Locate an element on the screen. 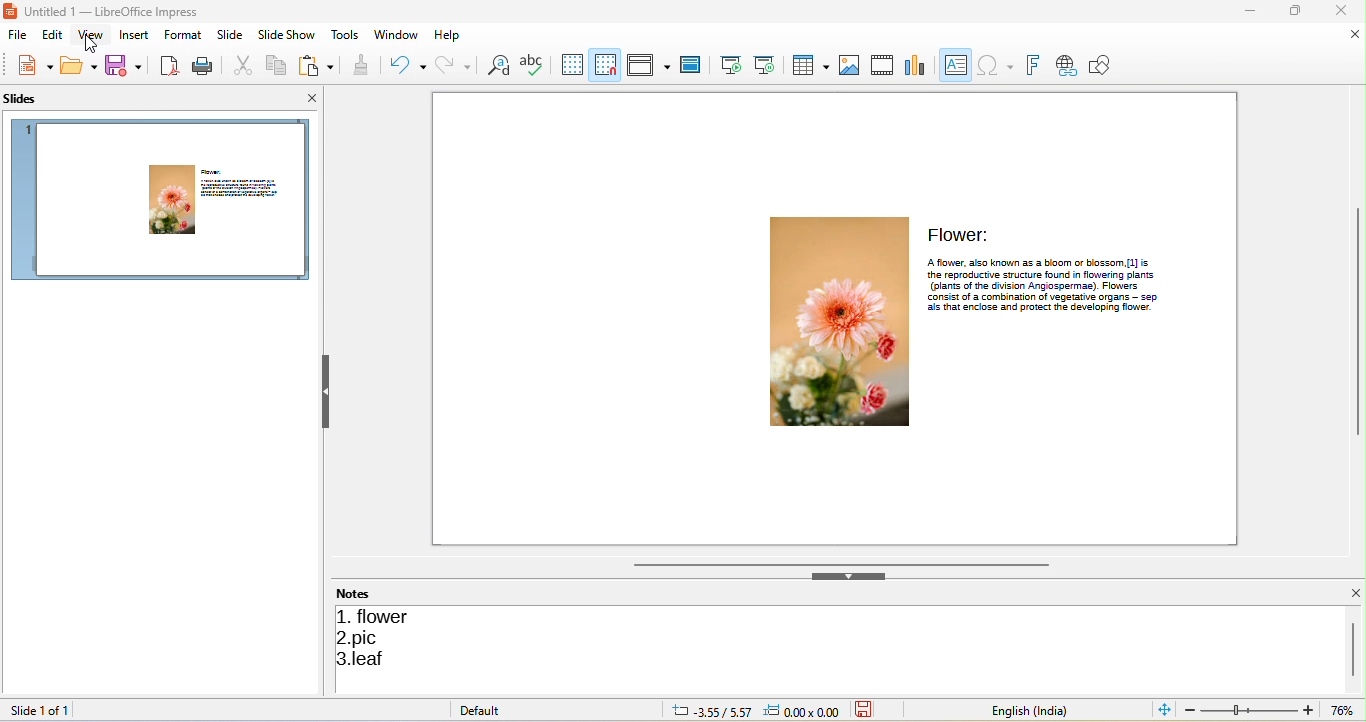  horizontal scroll bar is located at coordinates (837, 564).